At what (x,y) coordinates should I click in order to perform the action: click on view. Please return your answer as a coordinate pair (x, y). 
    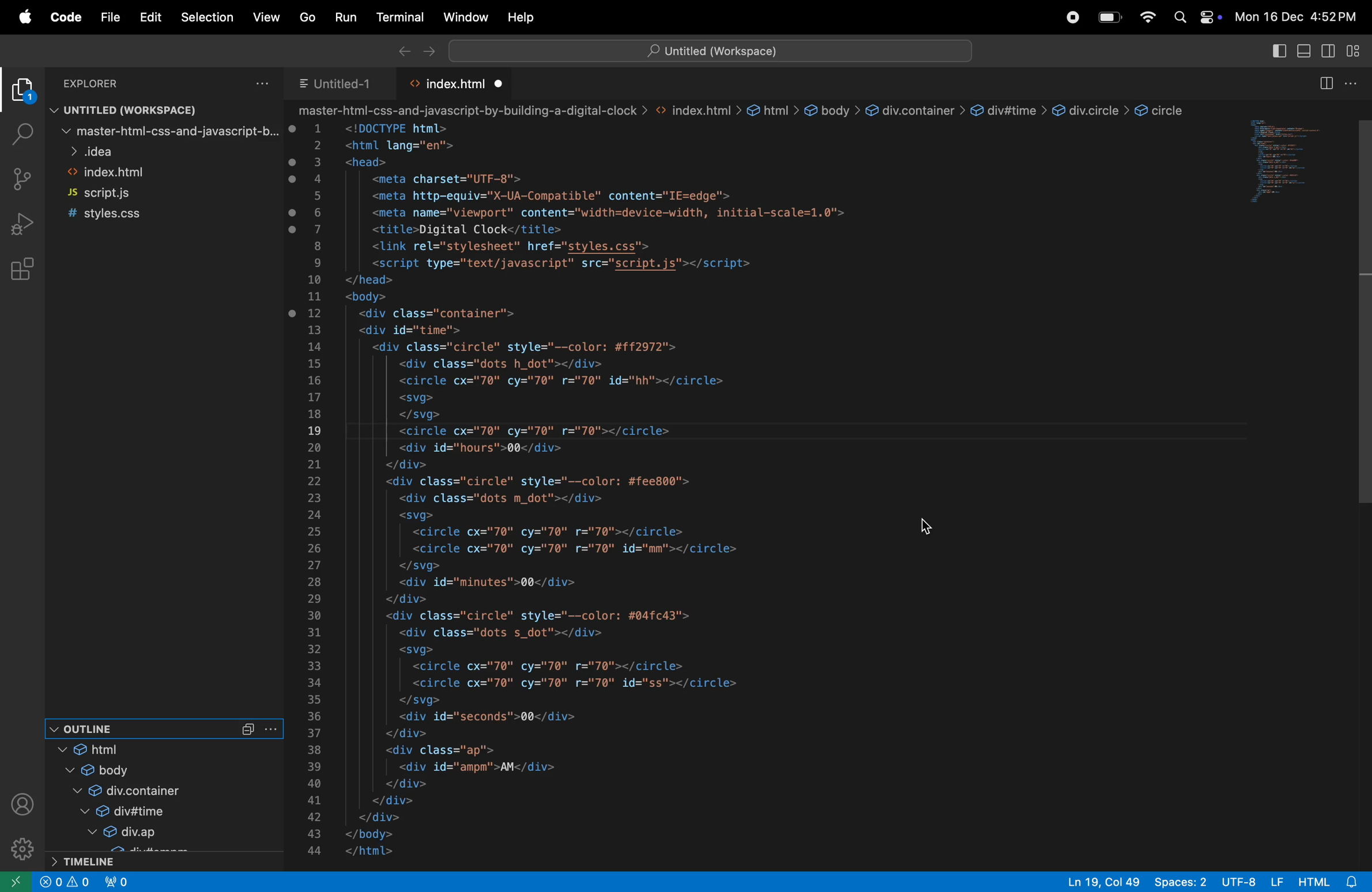
    Looking at the image, I should click on (263, 16).